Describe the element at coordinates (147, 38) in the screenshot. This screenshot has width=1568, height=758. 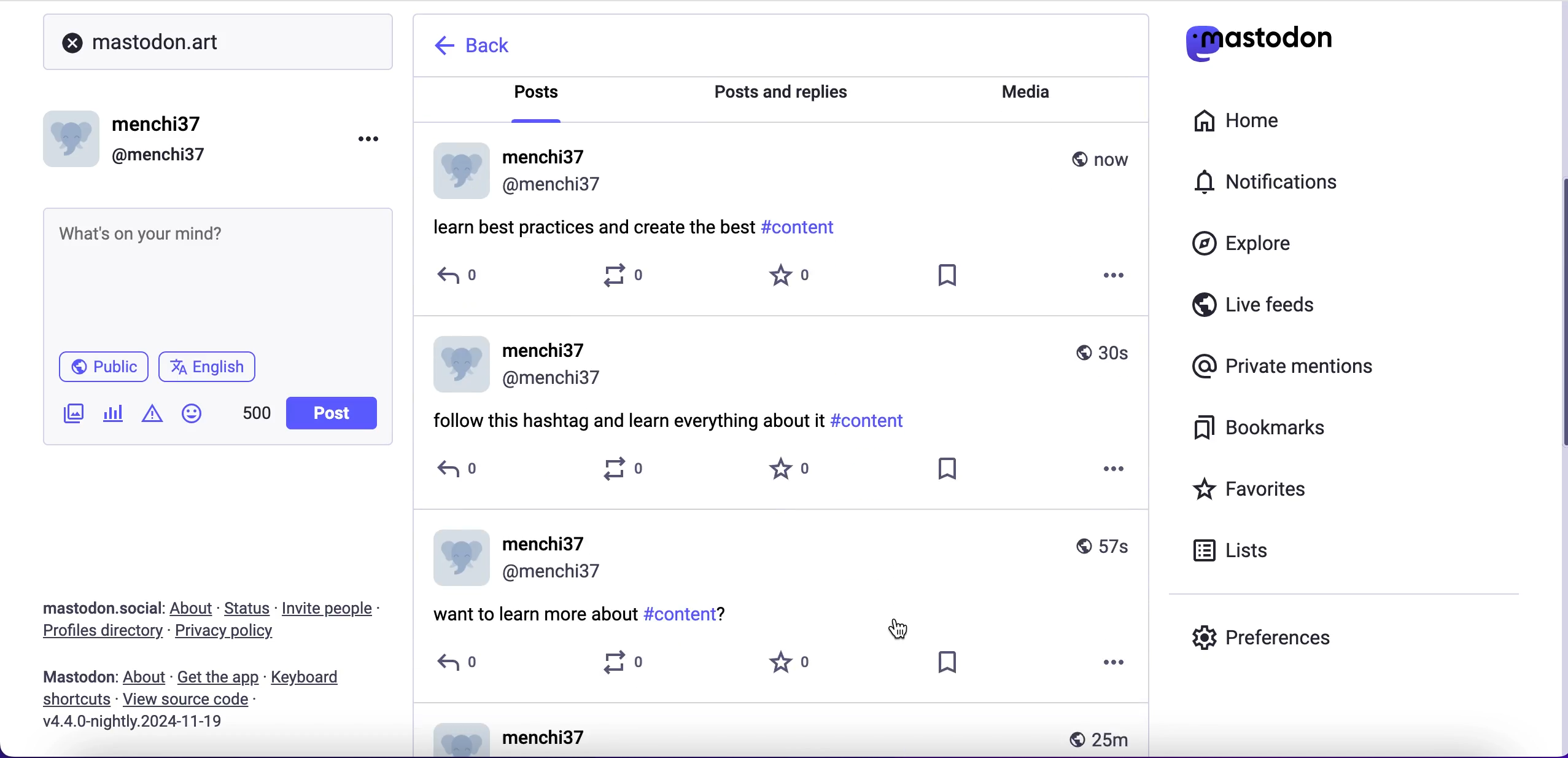
I see `mastodon.art` at that location.